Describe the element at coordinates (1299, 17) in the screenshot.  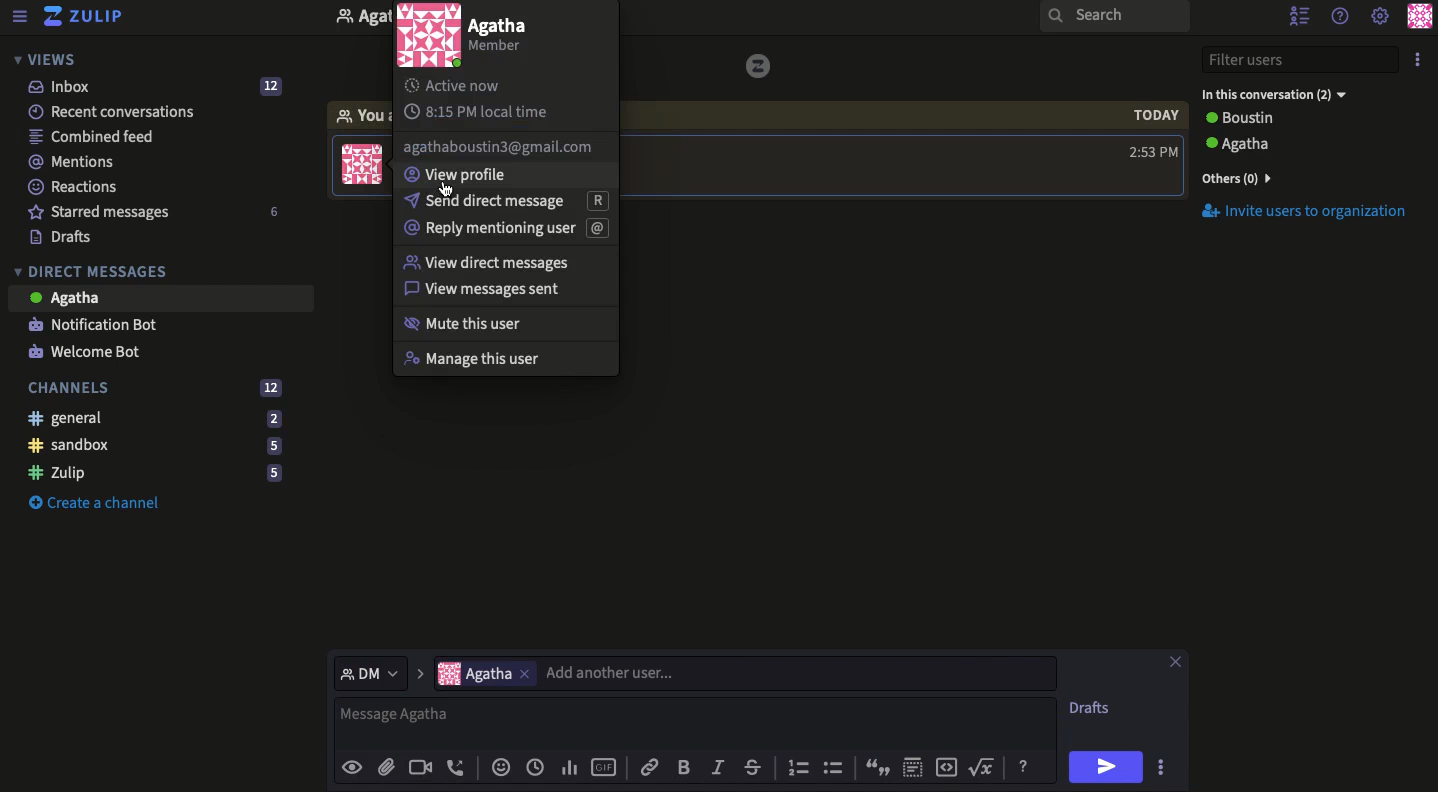
I see `Hide user list` at that location.